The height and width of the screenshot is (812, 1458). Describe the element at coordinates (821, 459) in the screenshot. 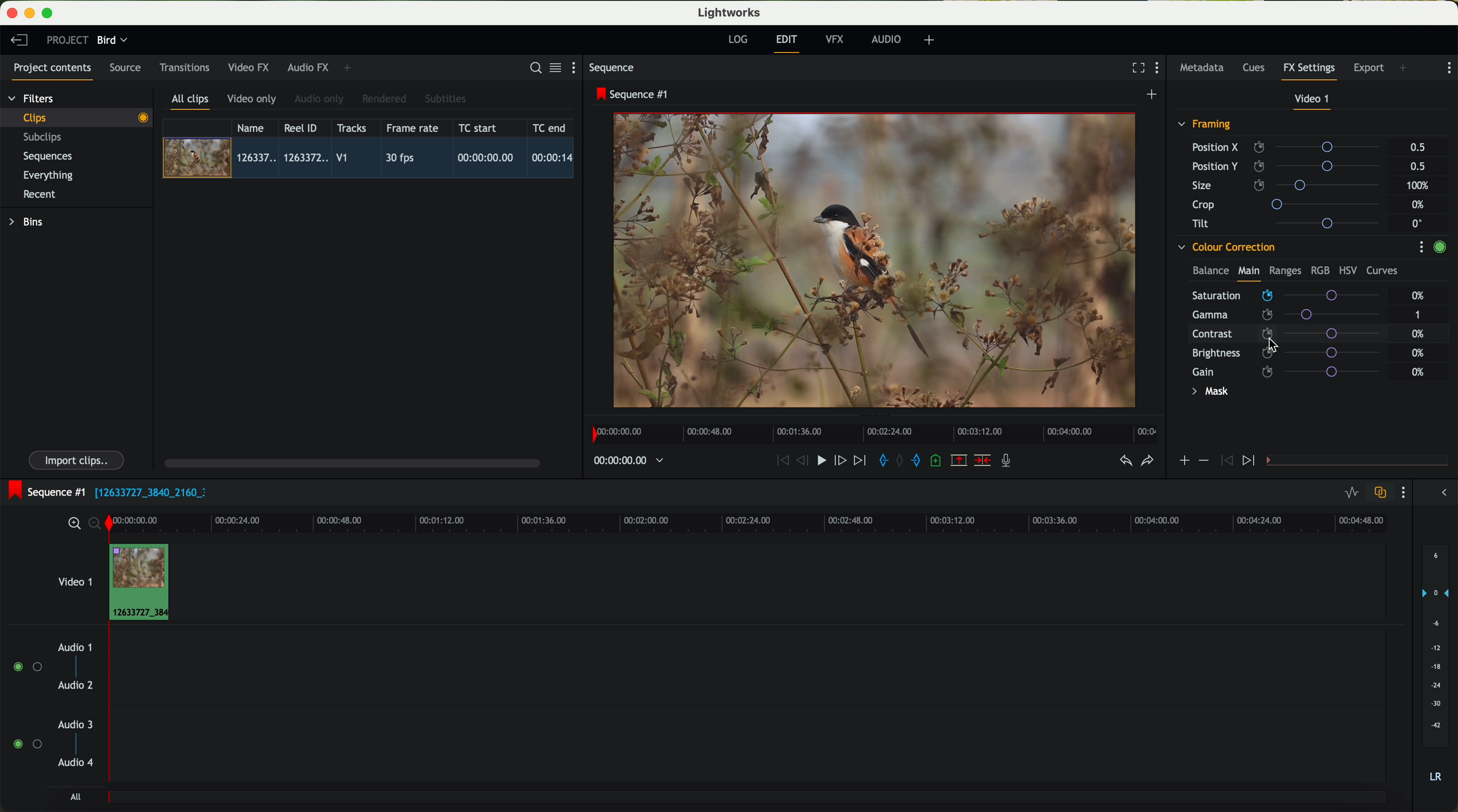

I see `play` at that location.